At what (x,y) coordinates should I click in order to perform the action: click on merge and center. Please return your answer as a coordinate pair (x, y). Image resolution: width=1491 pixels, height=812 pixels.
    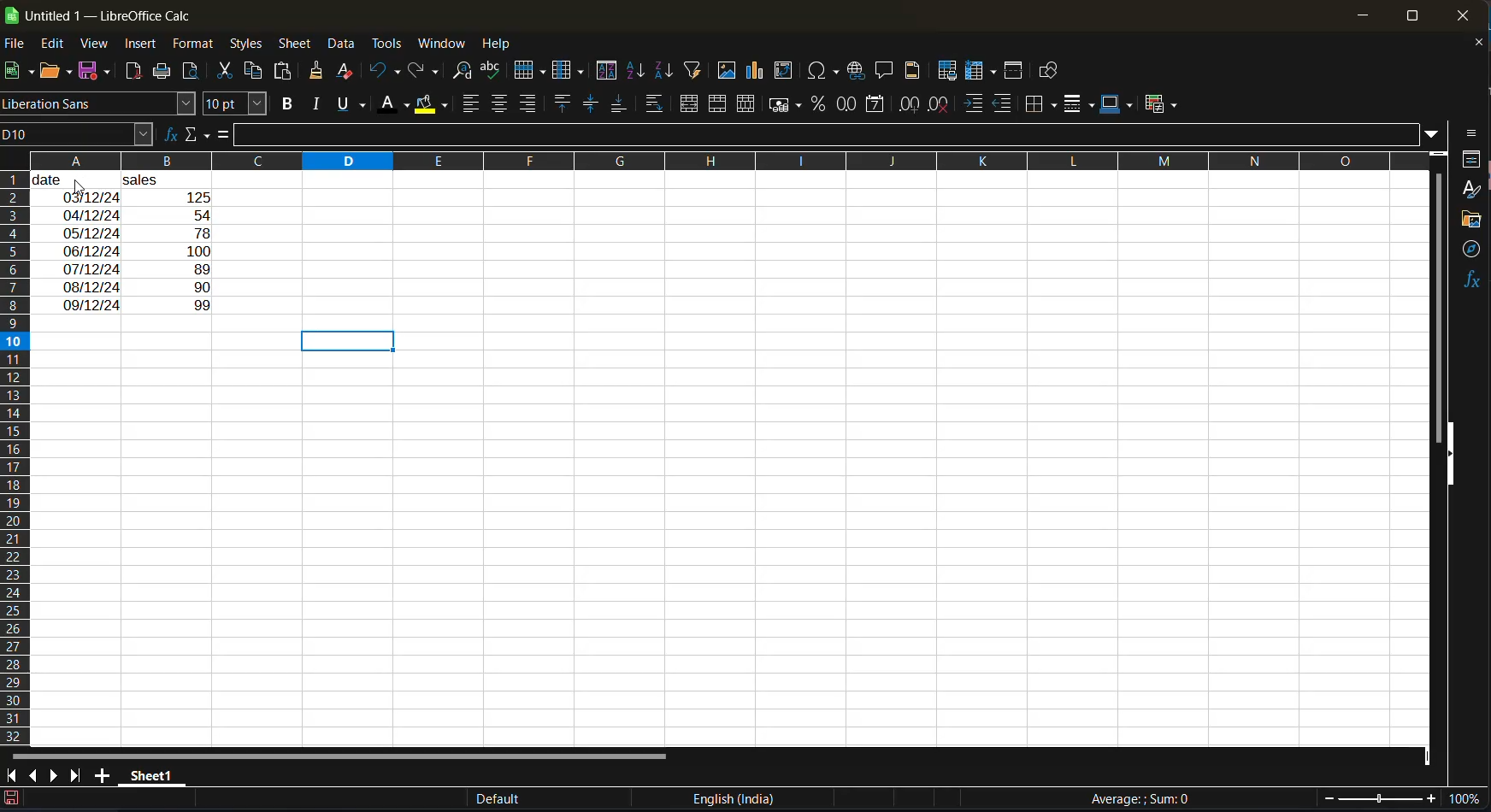
    Looking at the image, I should click on (692, 103).